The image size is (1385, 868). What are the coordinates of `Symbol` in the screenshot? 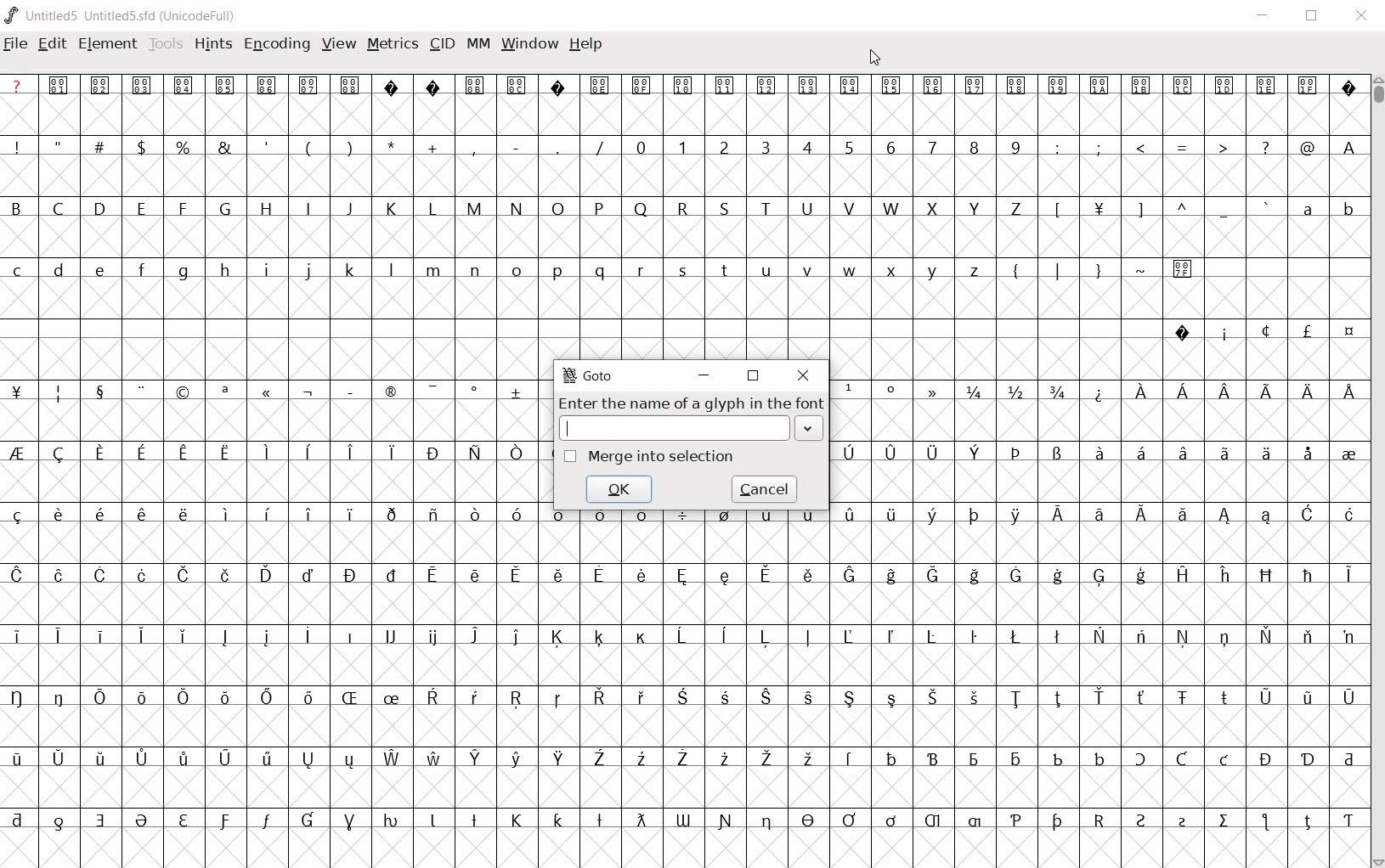 It's located at (768, 85).